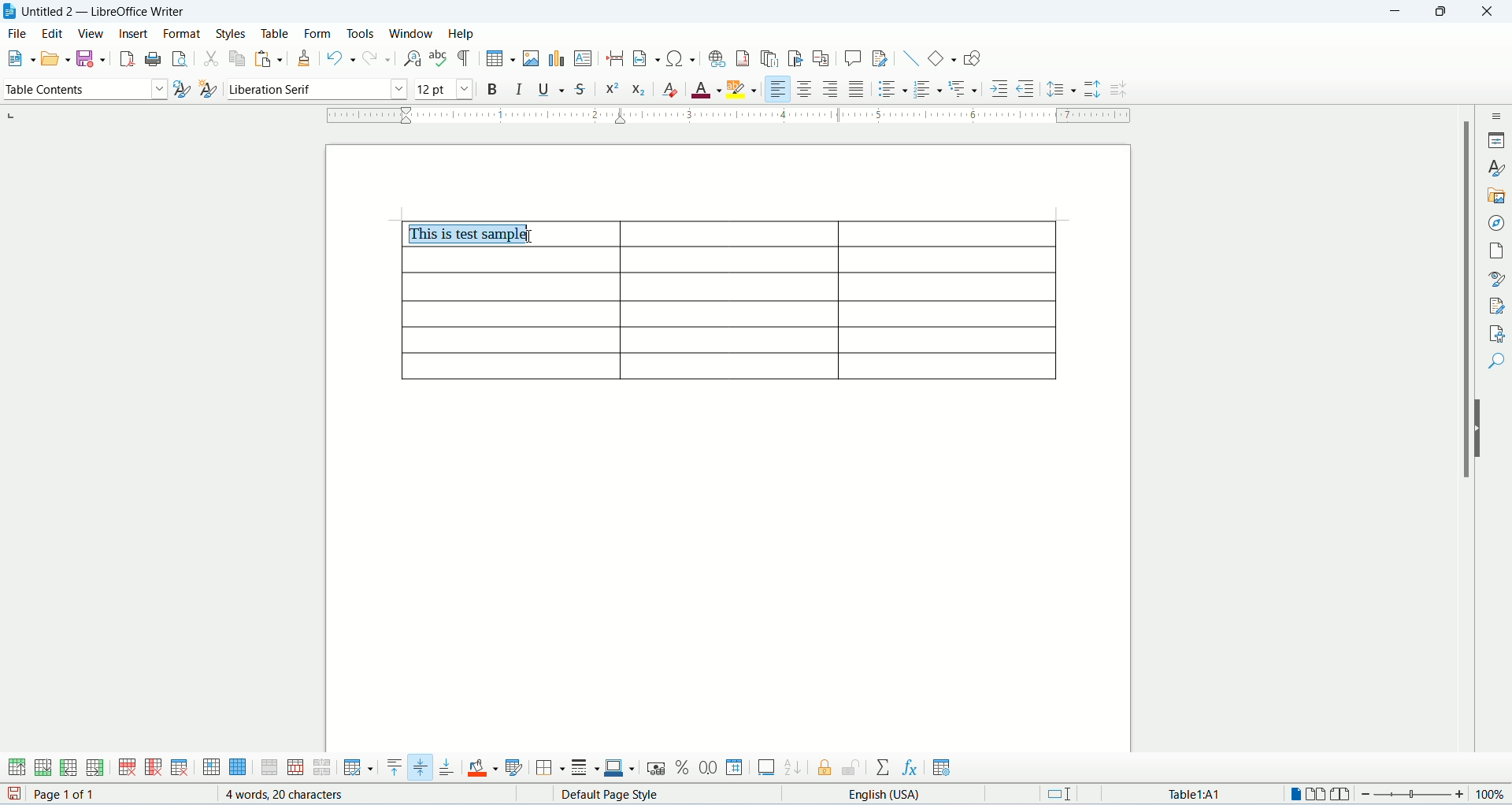 The image size is (1512, 805). What do you see at coordinates (342, 57) in the screenshot?
I see `undo` at bounding box center [342, 57].